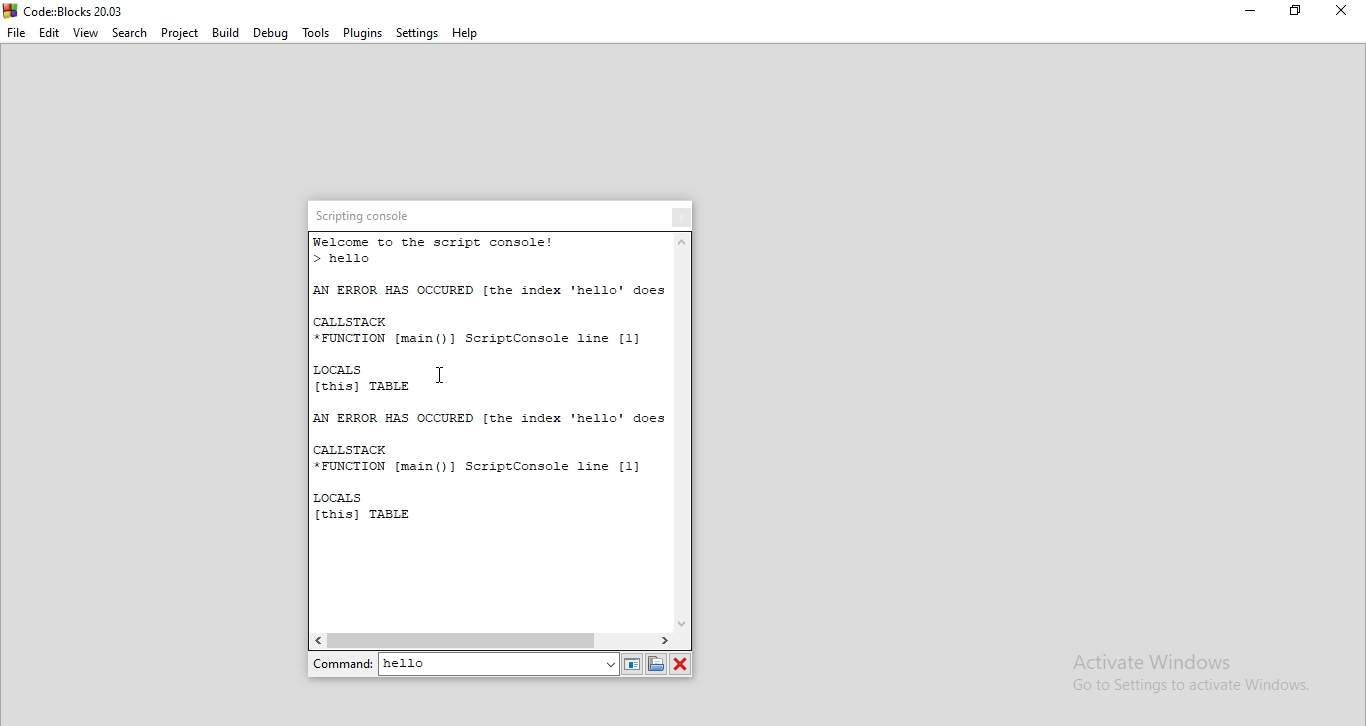 This screenshot has height=726, width=1366. What do you see at coordinates (73, 10) in the screenshot?
I see `logo` at bounding box center [73, 10].